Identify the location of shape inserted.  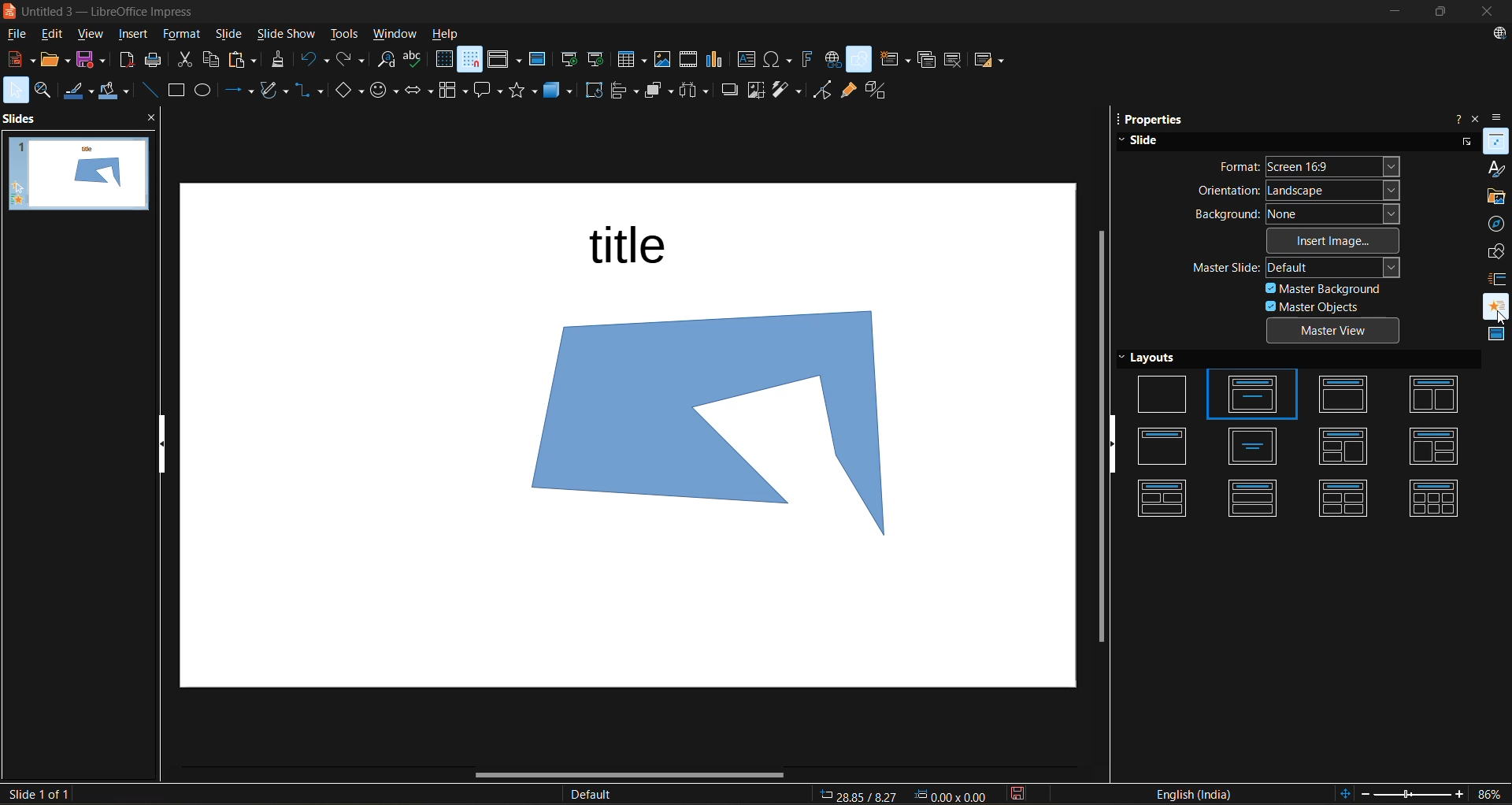
(736, 429).